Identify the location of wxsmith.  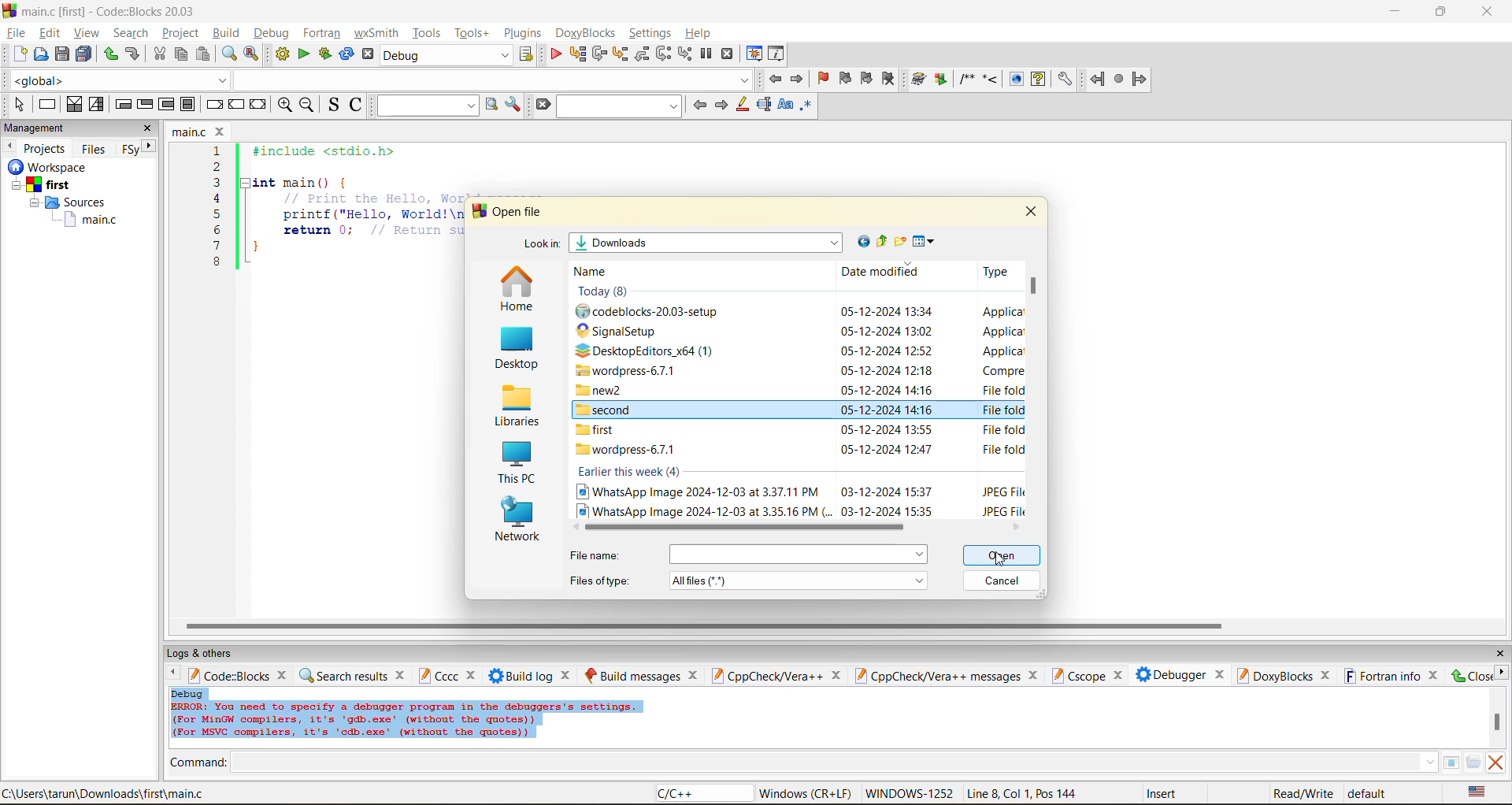
(377, 33).